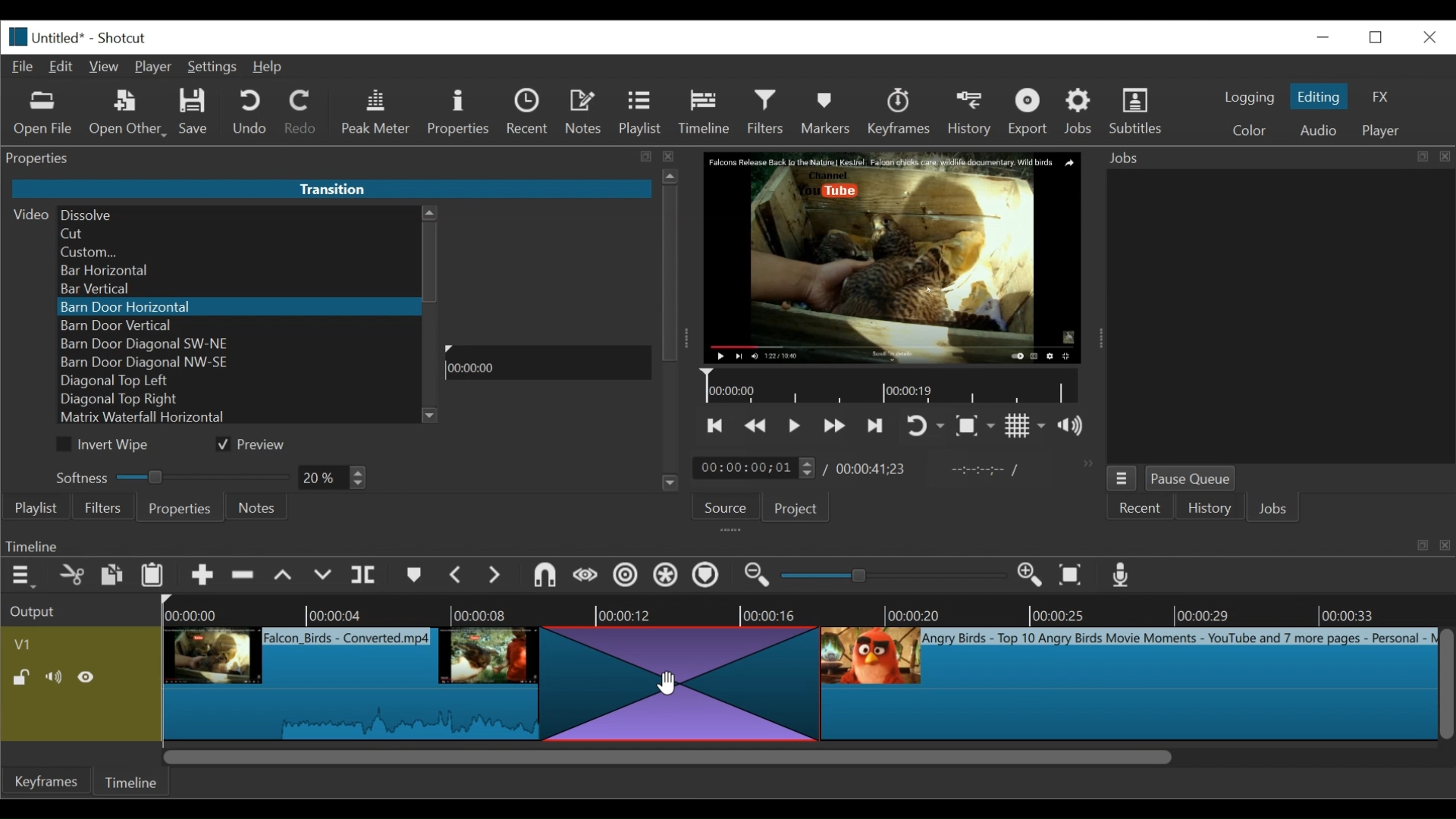  What do you see at coordinates (1382, 130) in the screenshot?
I see `player` at bounding box center [1382, 130].